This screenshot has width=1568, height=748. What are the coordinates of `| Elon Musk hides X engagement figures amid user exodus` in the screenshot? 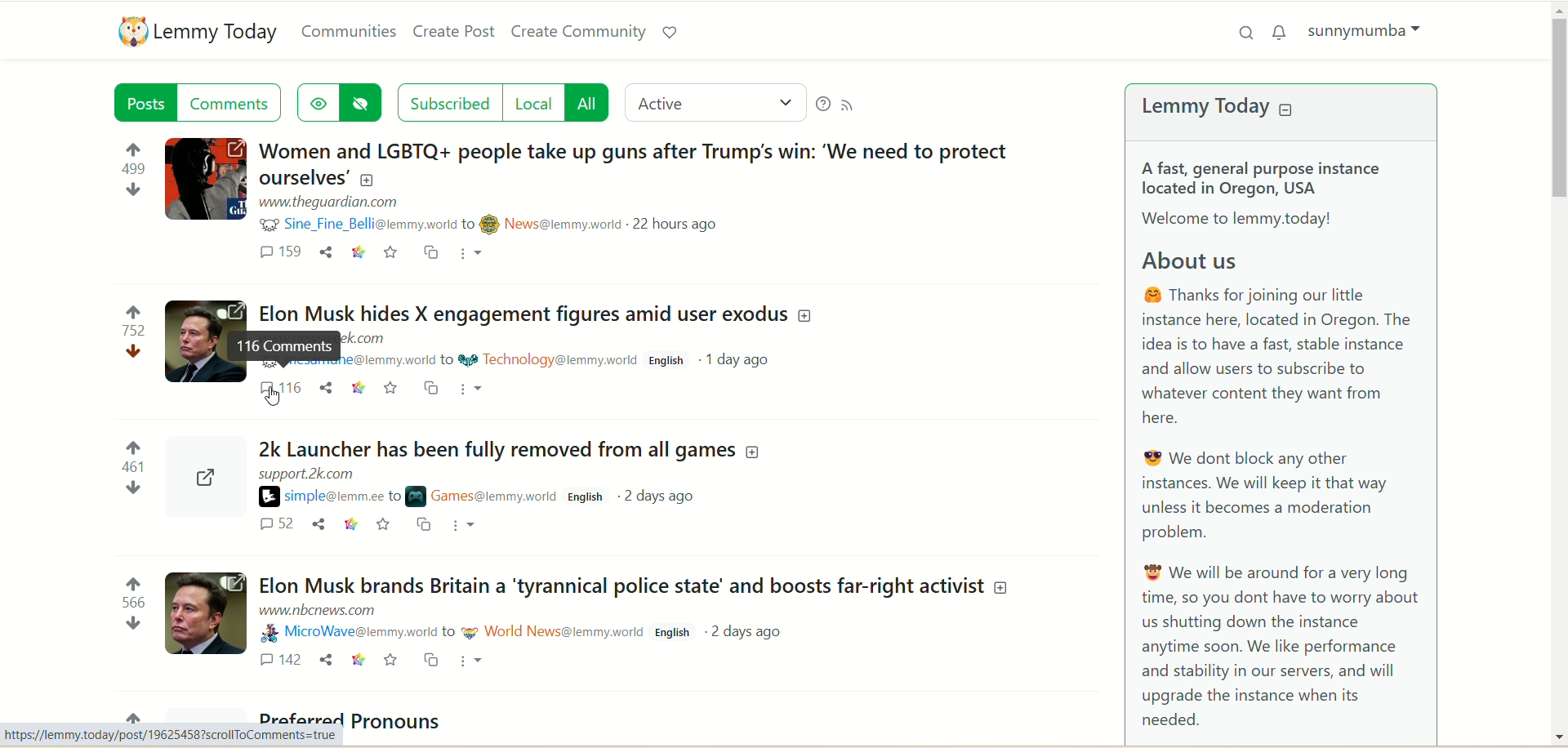 It's located at (517, 309).